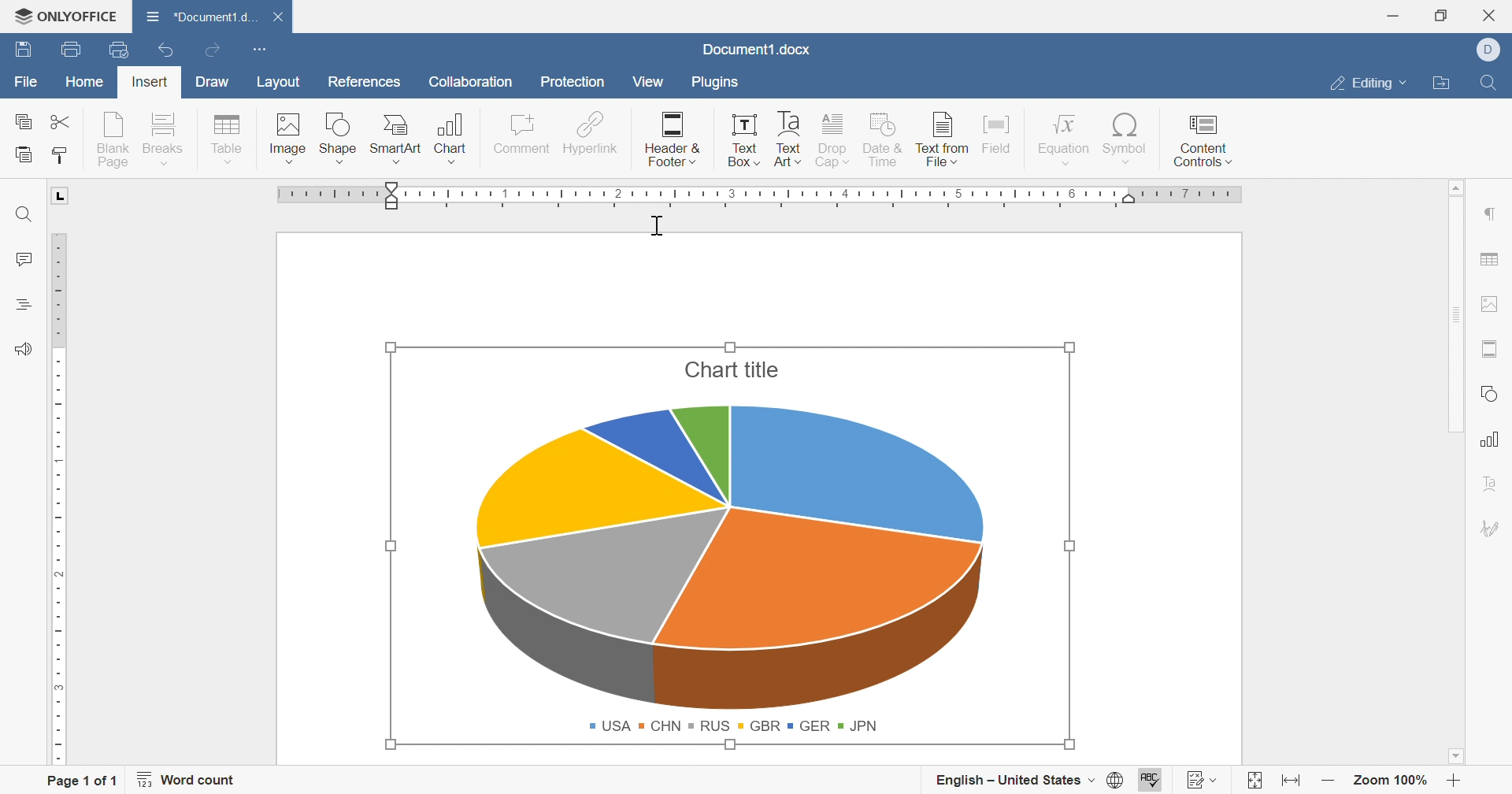 The image size is (1512, 794). What do you see at coordinates (83, 83) in the screenshot?
I see `Home` at bounding box center [83, 83].